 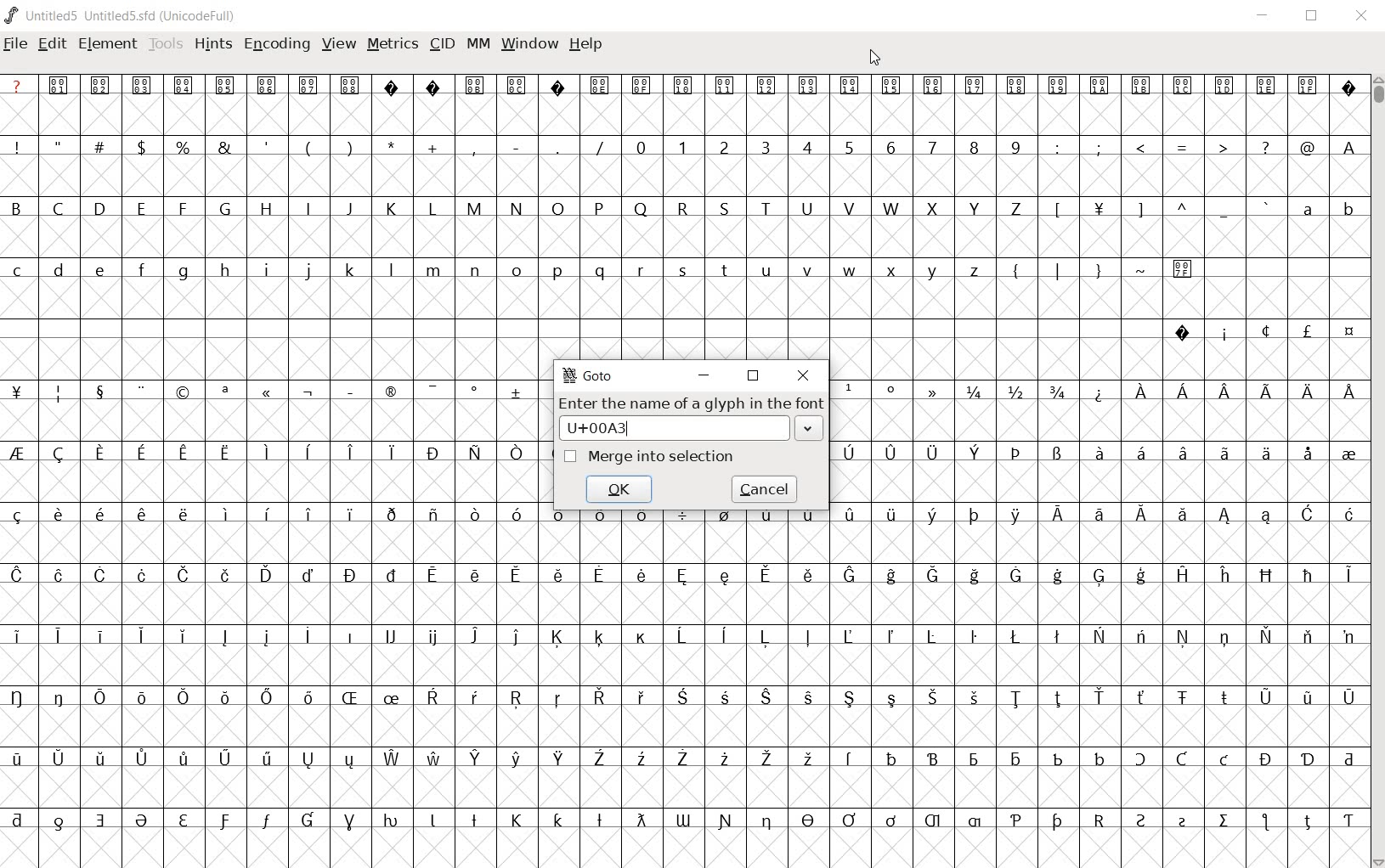 I want to click on Symbol, so click(x=518, y=514).